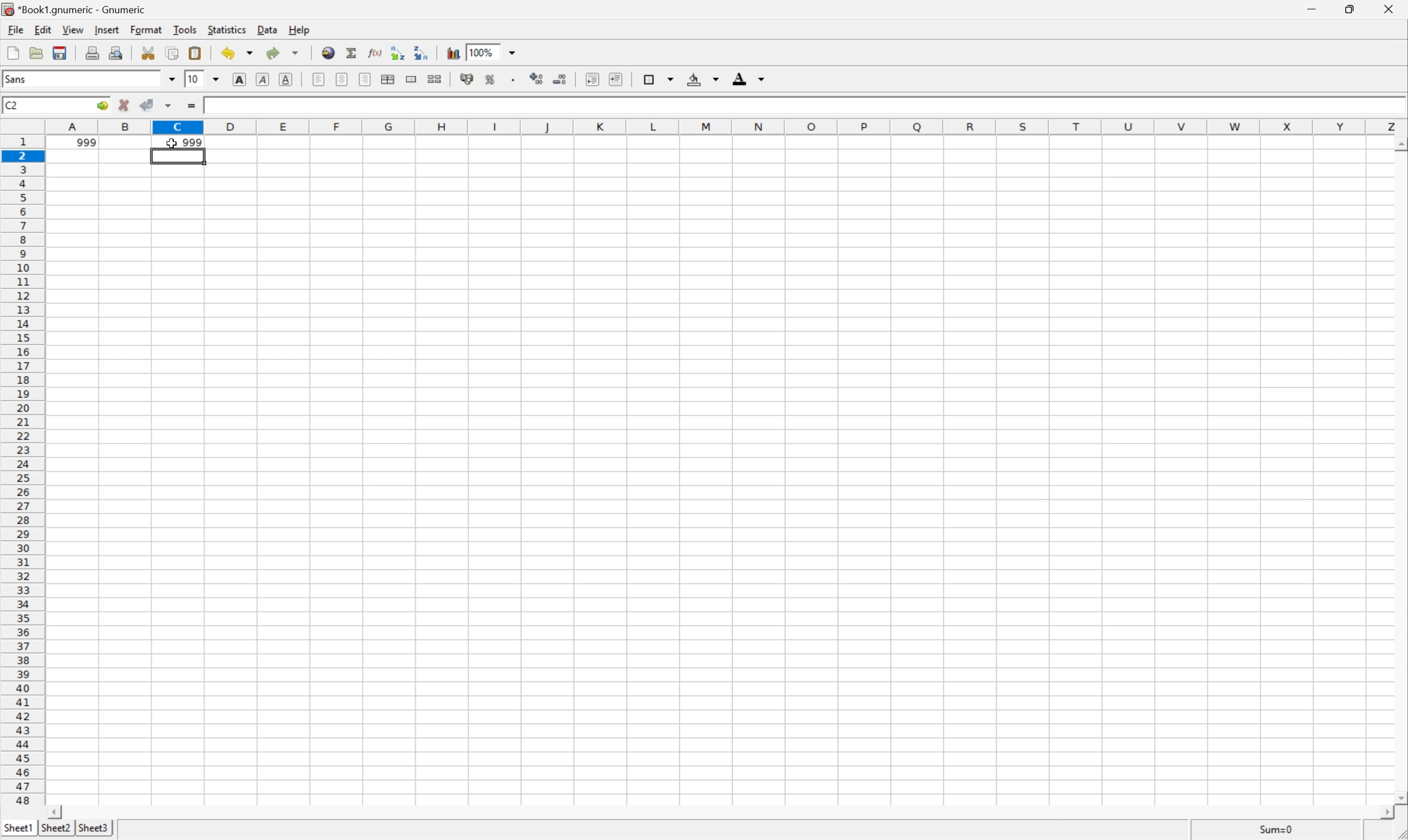 The width and height of the screenshot is (1408, 840). What do you see at coordinates (36, 51) in the screenshot?
I see `open` at bounding box center [36, 51].